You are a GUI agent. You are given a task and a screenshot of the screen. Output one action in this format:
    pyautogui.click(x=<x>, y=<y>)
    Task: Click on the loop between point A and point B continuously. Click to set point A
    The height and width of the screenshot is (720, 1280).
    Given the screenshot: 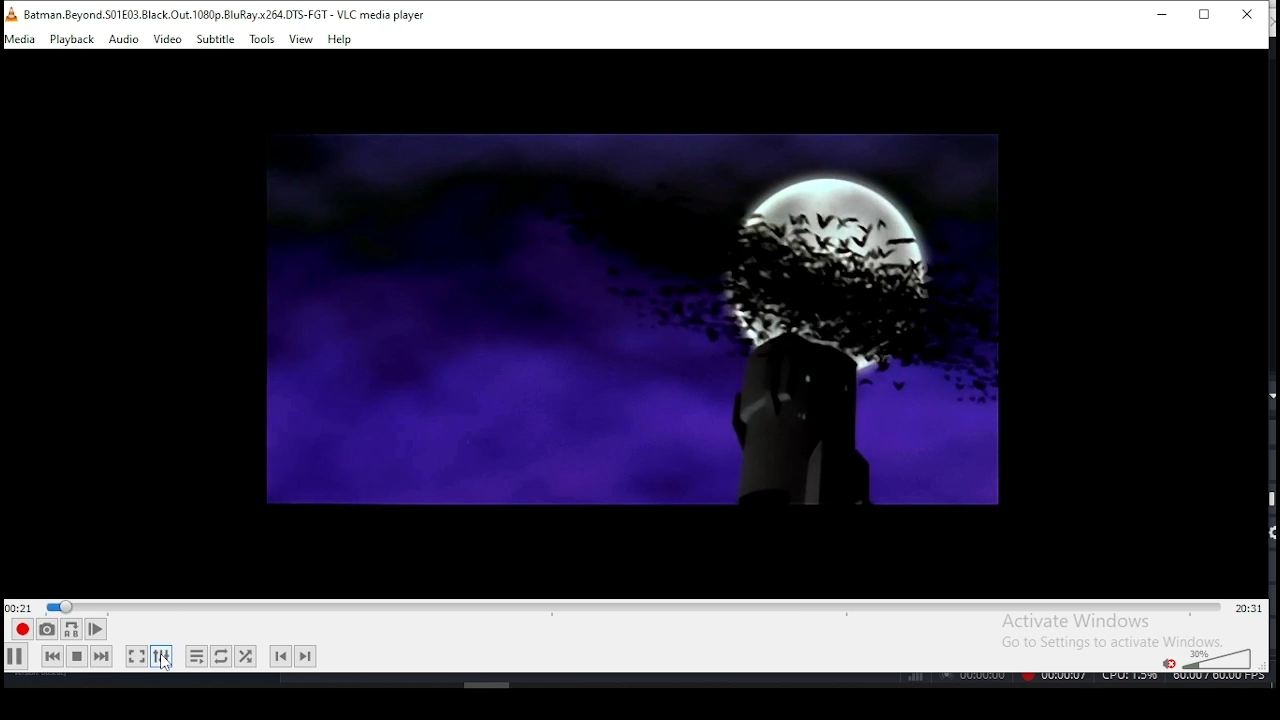 What is the action you would take?
    pyautogui.click(x=69, y=630)
    